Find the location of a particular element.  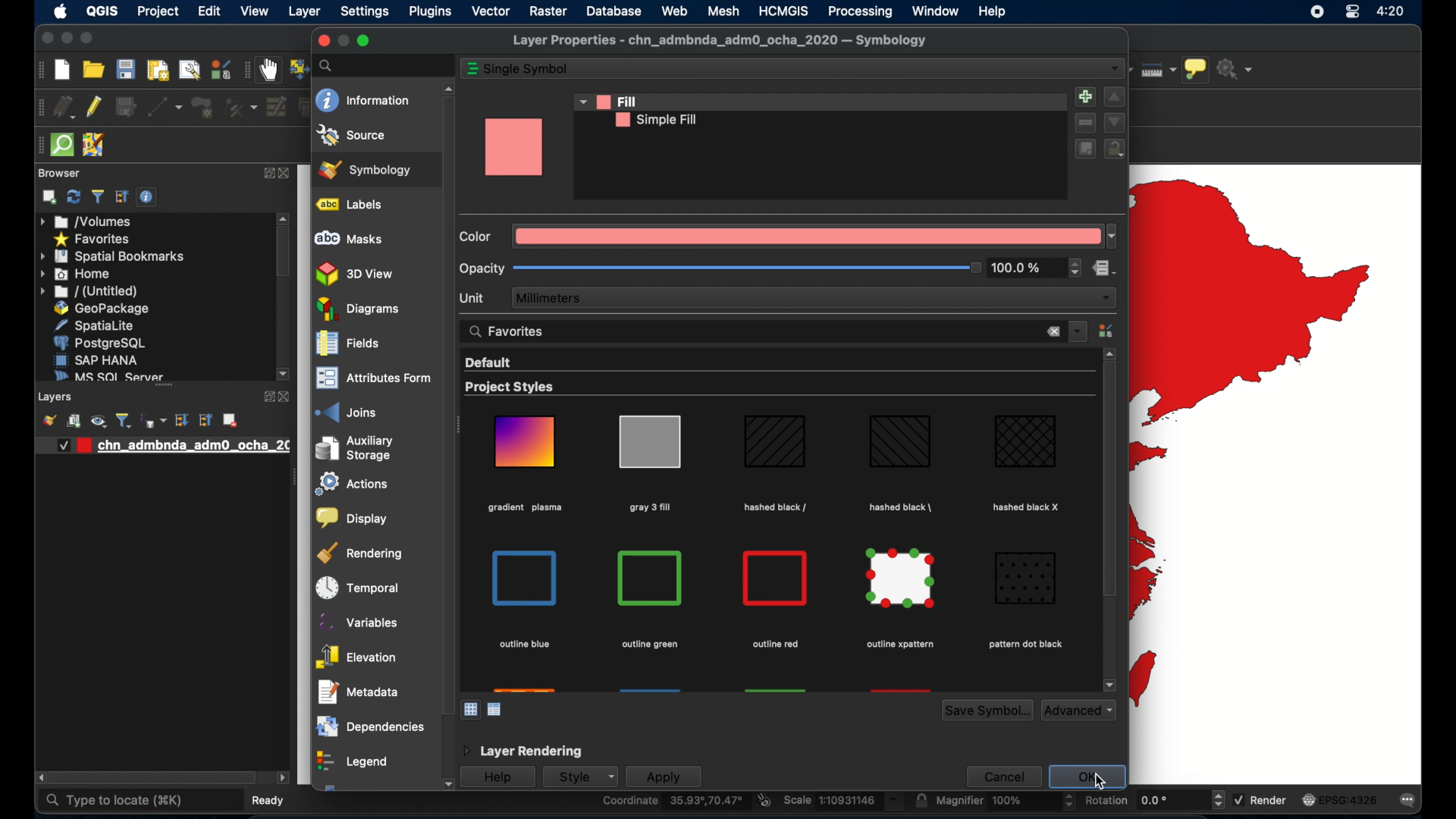

show map tips is located at coordinates (1196, 71).